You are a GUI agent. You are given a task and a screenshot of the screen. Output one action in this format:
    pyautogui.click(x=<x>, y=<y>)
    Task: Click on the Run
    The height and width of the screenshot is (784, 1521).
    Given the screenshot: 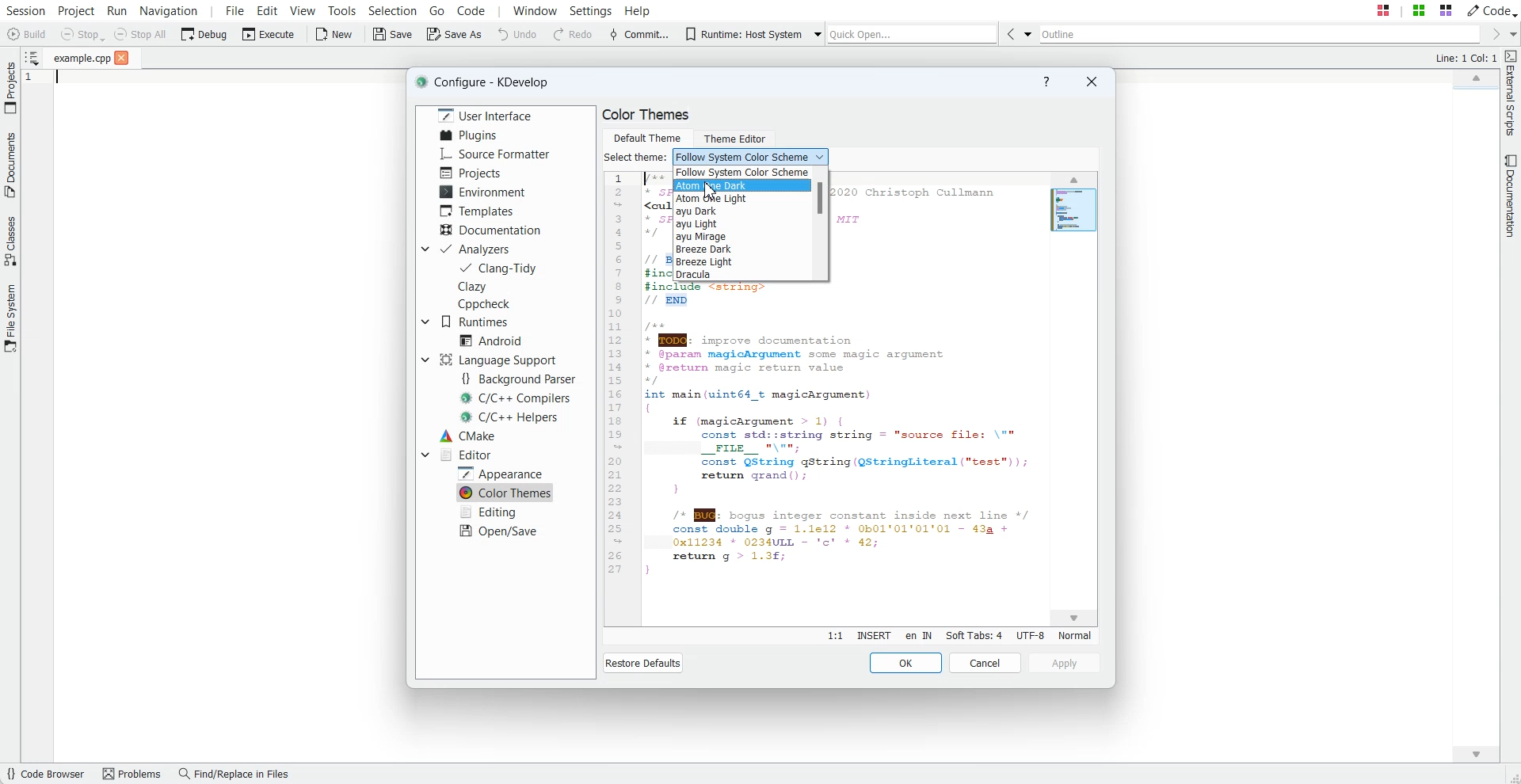 What is the action you would take?
    pyautogui.click(x=117, y=10)
    